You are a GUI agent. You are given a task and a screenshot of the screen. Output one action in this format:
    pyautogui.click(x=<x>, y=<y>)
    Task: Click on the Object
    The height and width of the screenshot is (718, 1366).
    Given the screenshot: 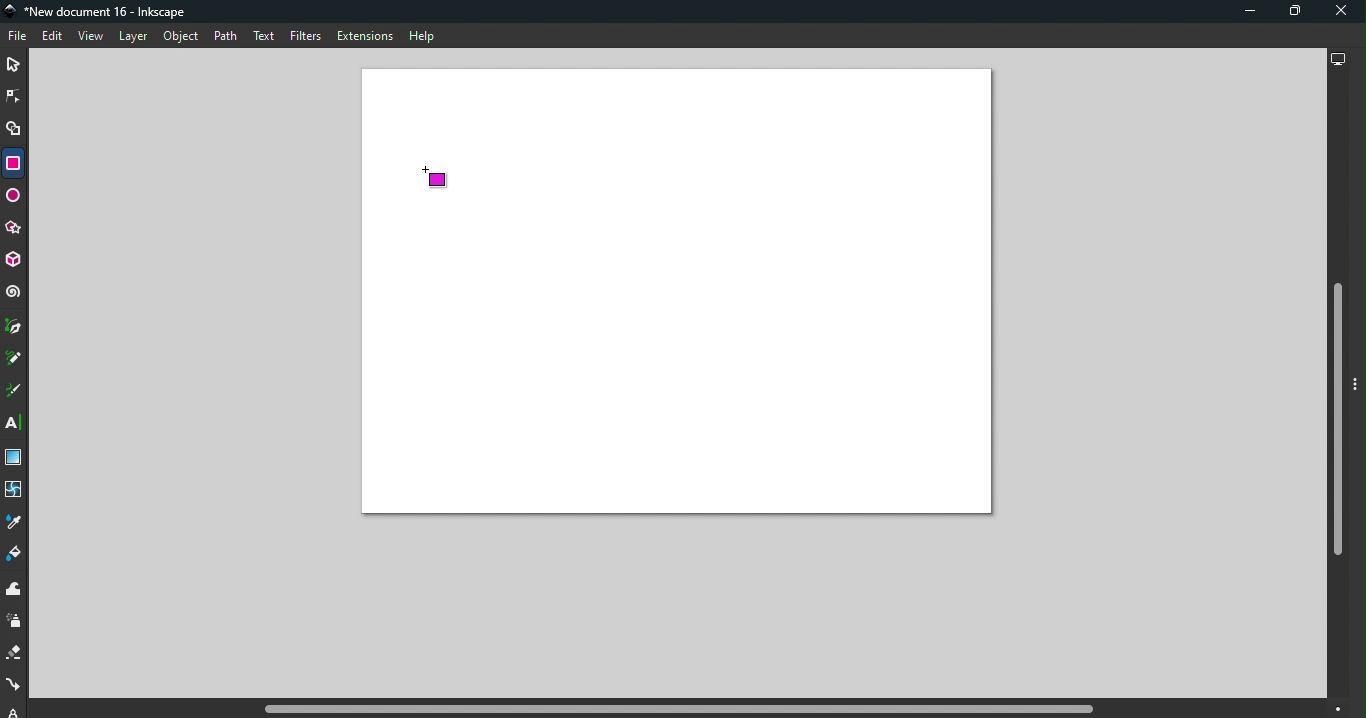 What is the action you would take?
    pyautogui.click(x=181, y=37)
    